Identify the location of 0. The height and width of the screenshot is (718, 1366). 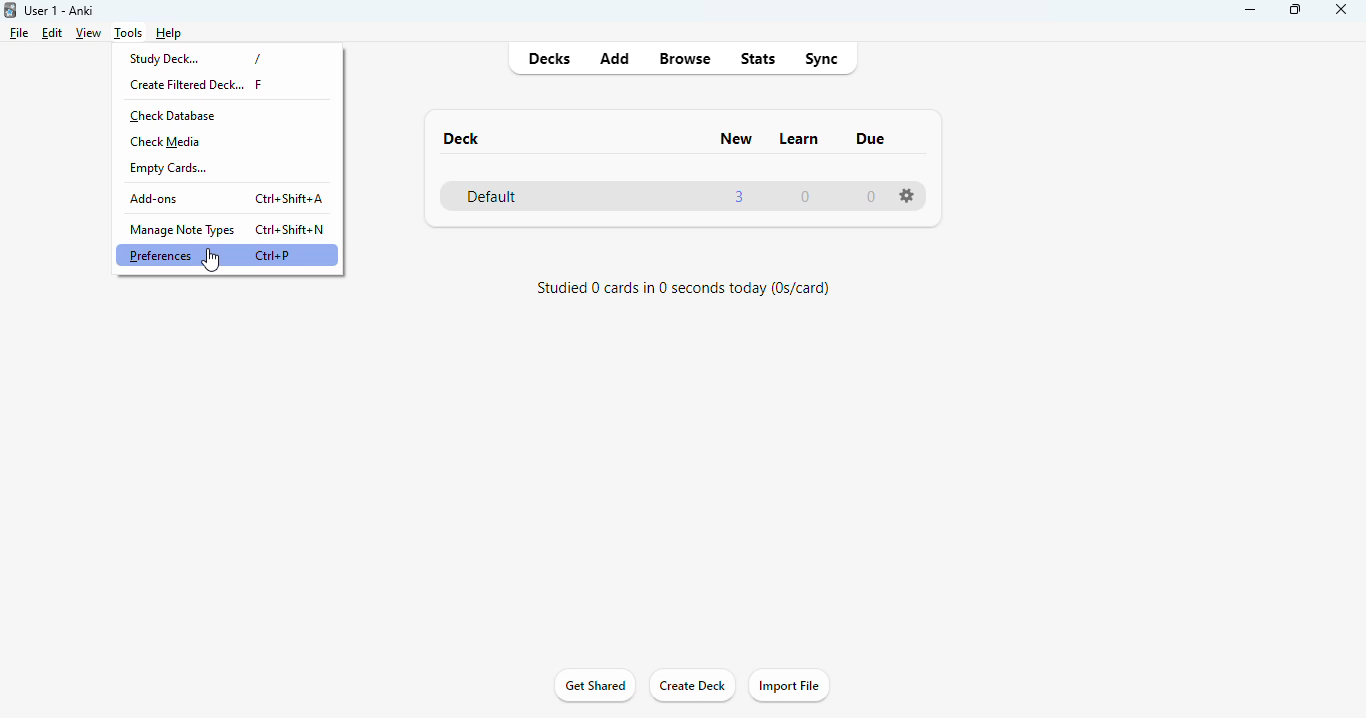
(806, 198).